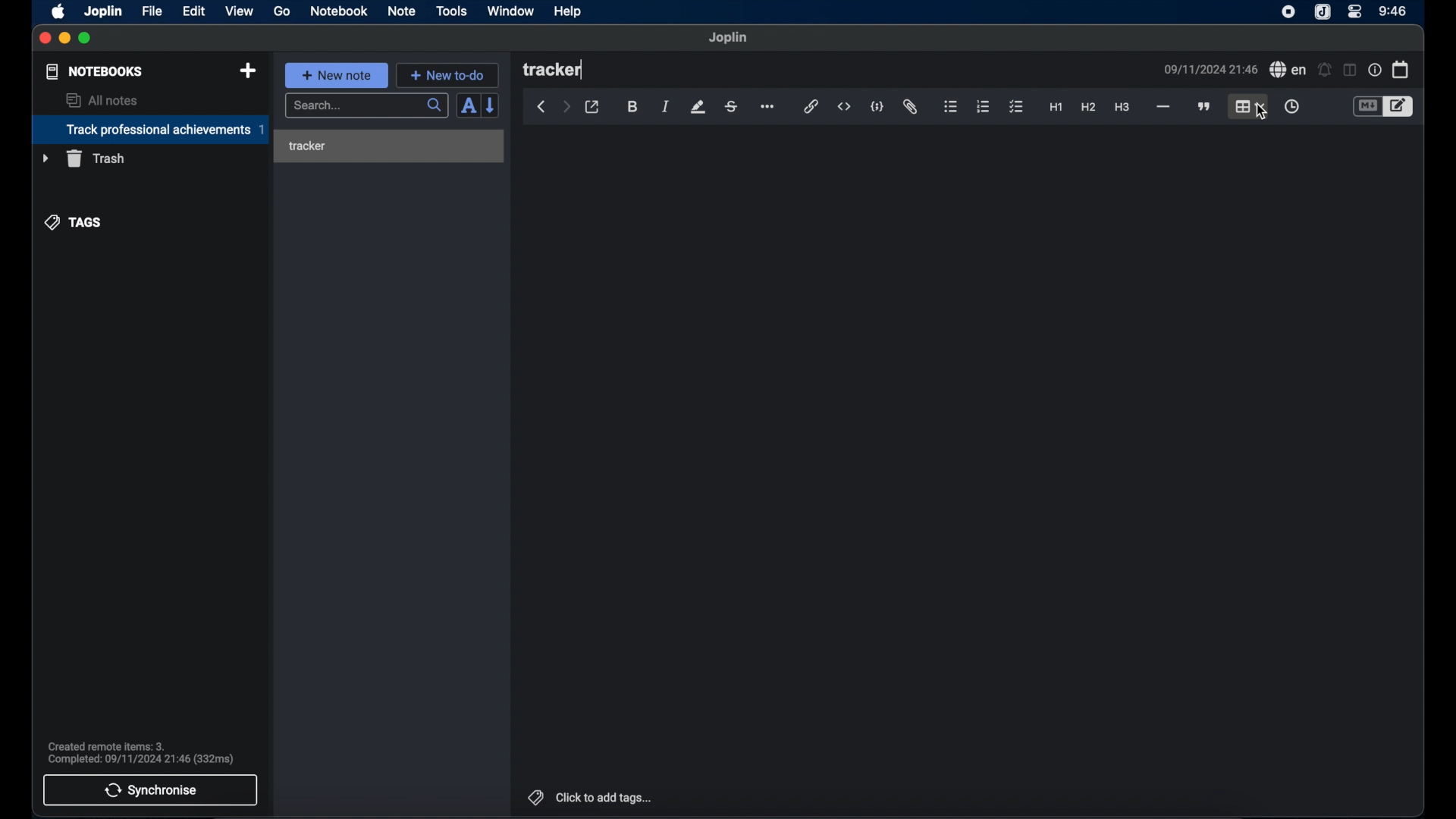 Image resolution: width=1456 pixels, height=819 pixels. Describe the element at coordinates (336, 74) in the screenshot. I see `new note` at that location.